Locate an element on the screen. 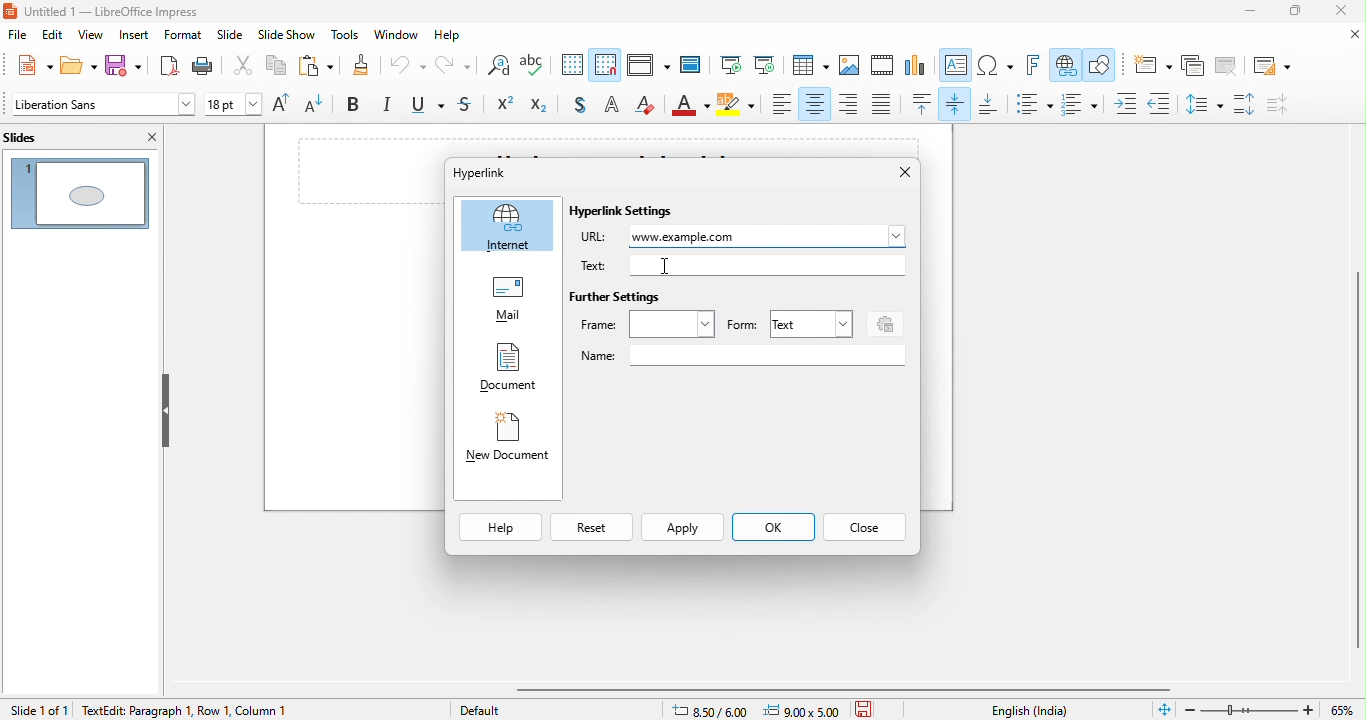  internet is located at coordinates (508, 226).